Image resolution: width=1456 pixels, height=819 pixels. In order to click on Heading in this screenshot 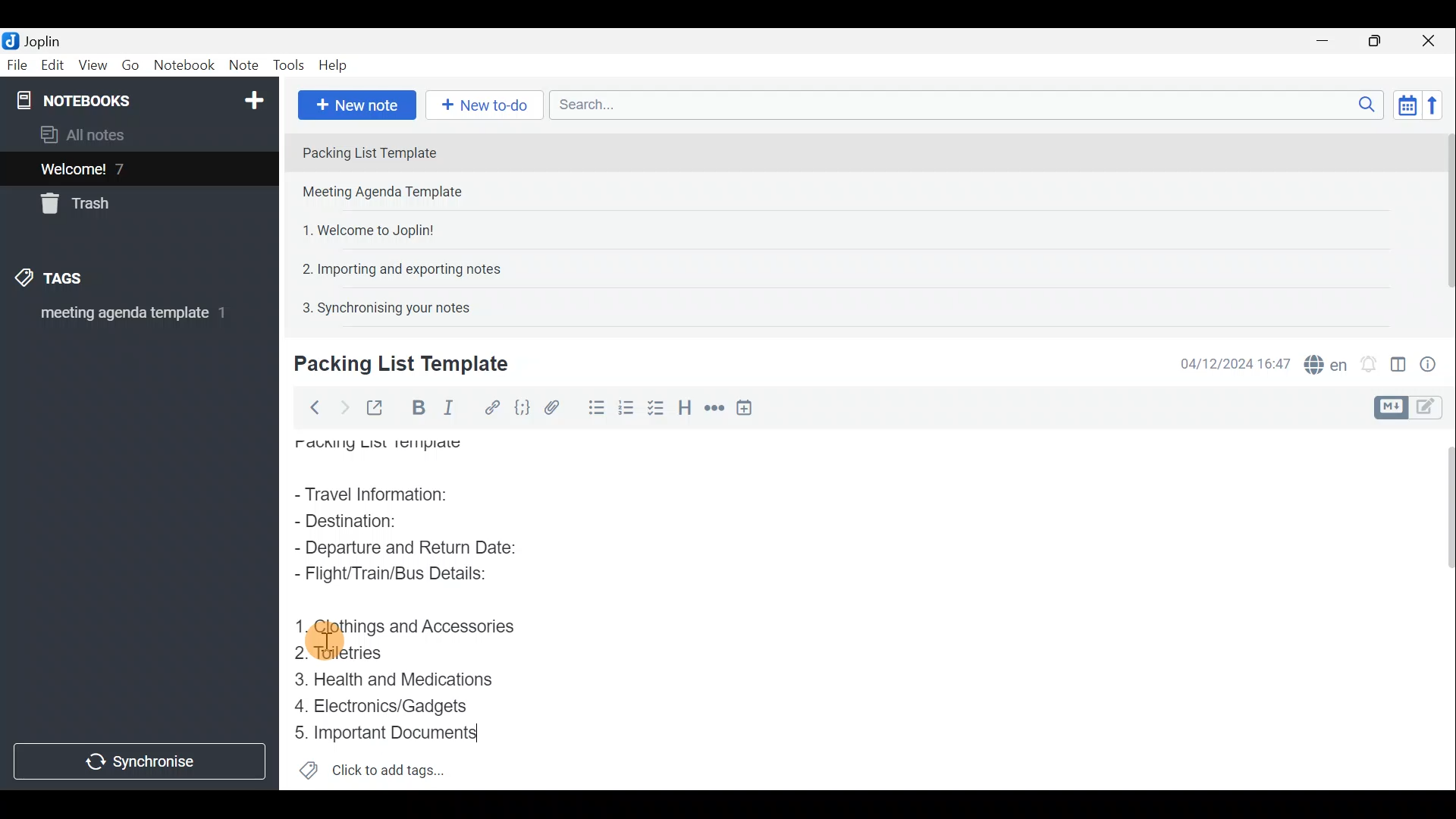, I will do `click(686, 406)`.